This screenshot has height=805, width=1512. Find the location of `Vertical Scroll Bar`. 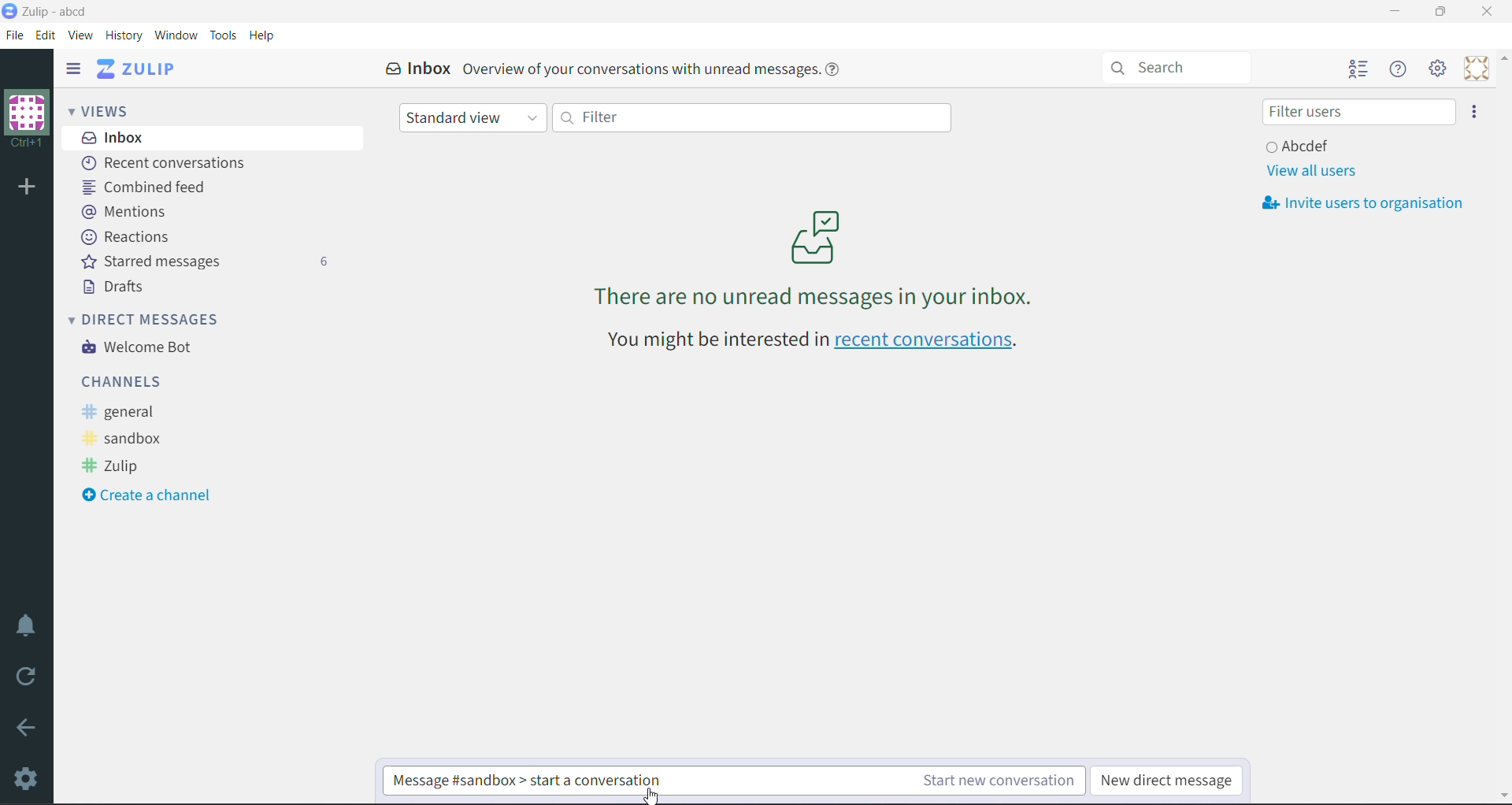

Vertical Scroll Bar is located at coordinates (1503, 427).